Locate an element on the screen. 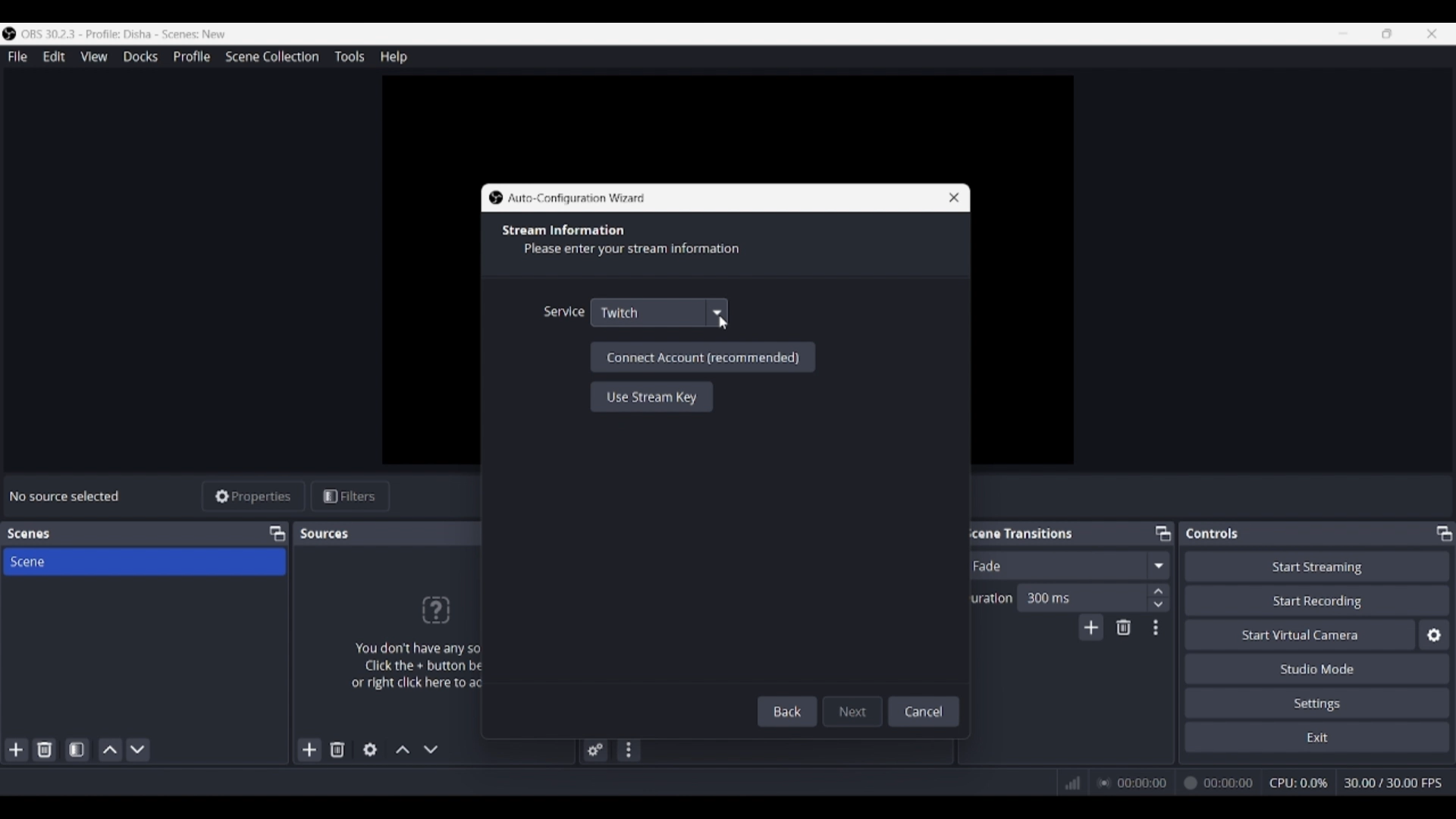  File menu is located at coordinates (17, 56).